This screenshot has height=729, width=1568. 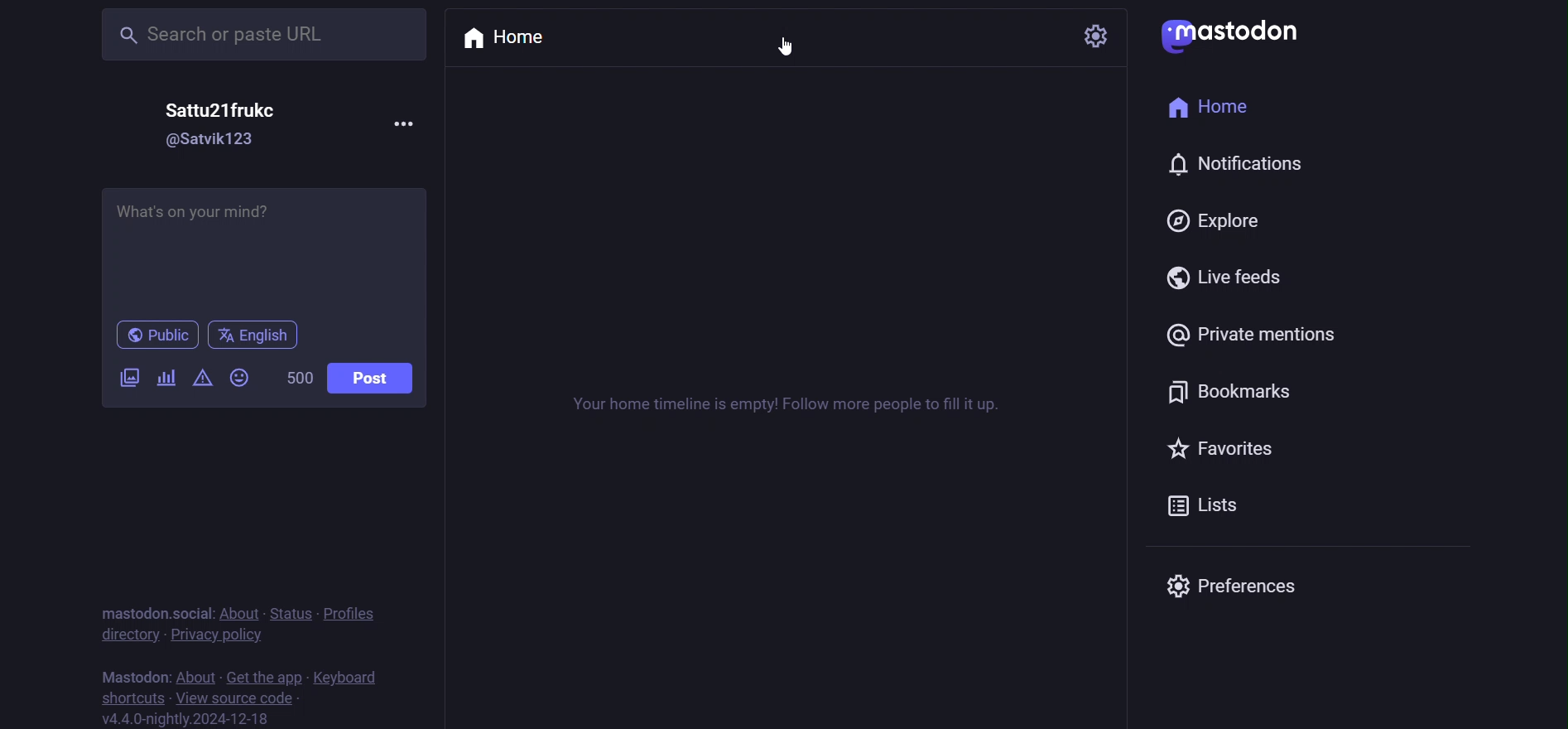 I want to click on id, so click(x=212, y=140).